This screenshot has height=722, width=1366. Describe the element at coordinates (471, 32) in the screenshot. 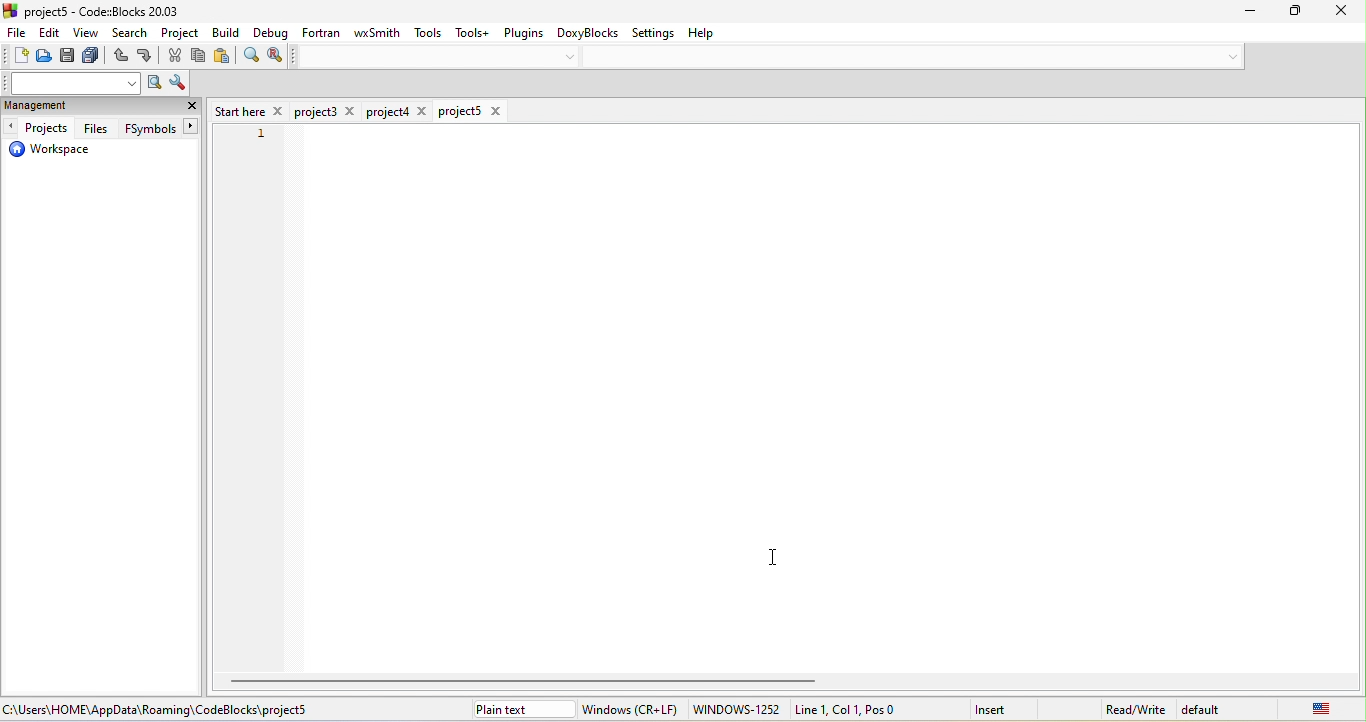

I see `tools+` at that location.